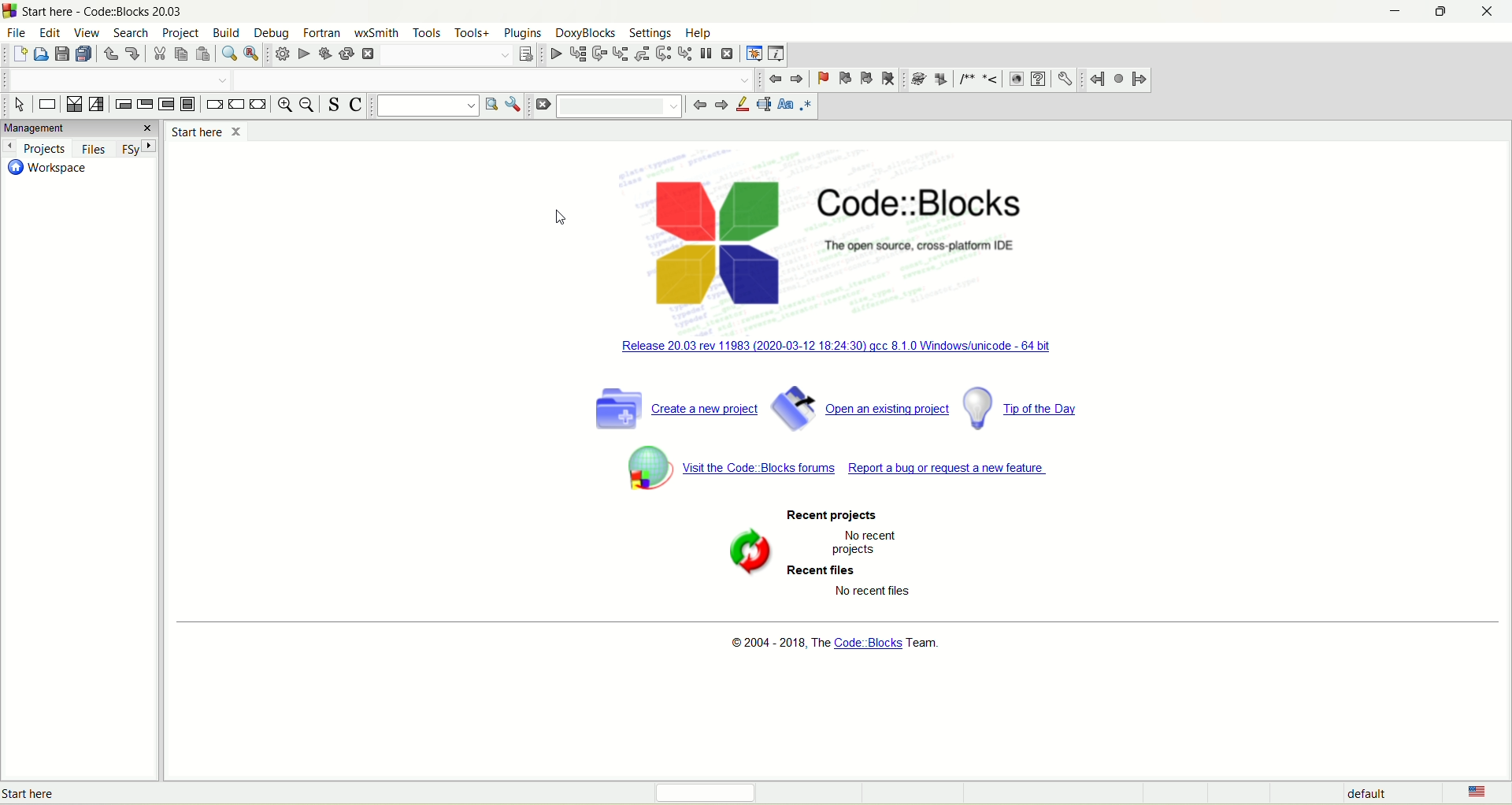  What do you see at coordinates (707, 52) in the screenshot?
I see `break debugging` at bounding box center [707, 52].